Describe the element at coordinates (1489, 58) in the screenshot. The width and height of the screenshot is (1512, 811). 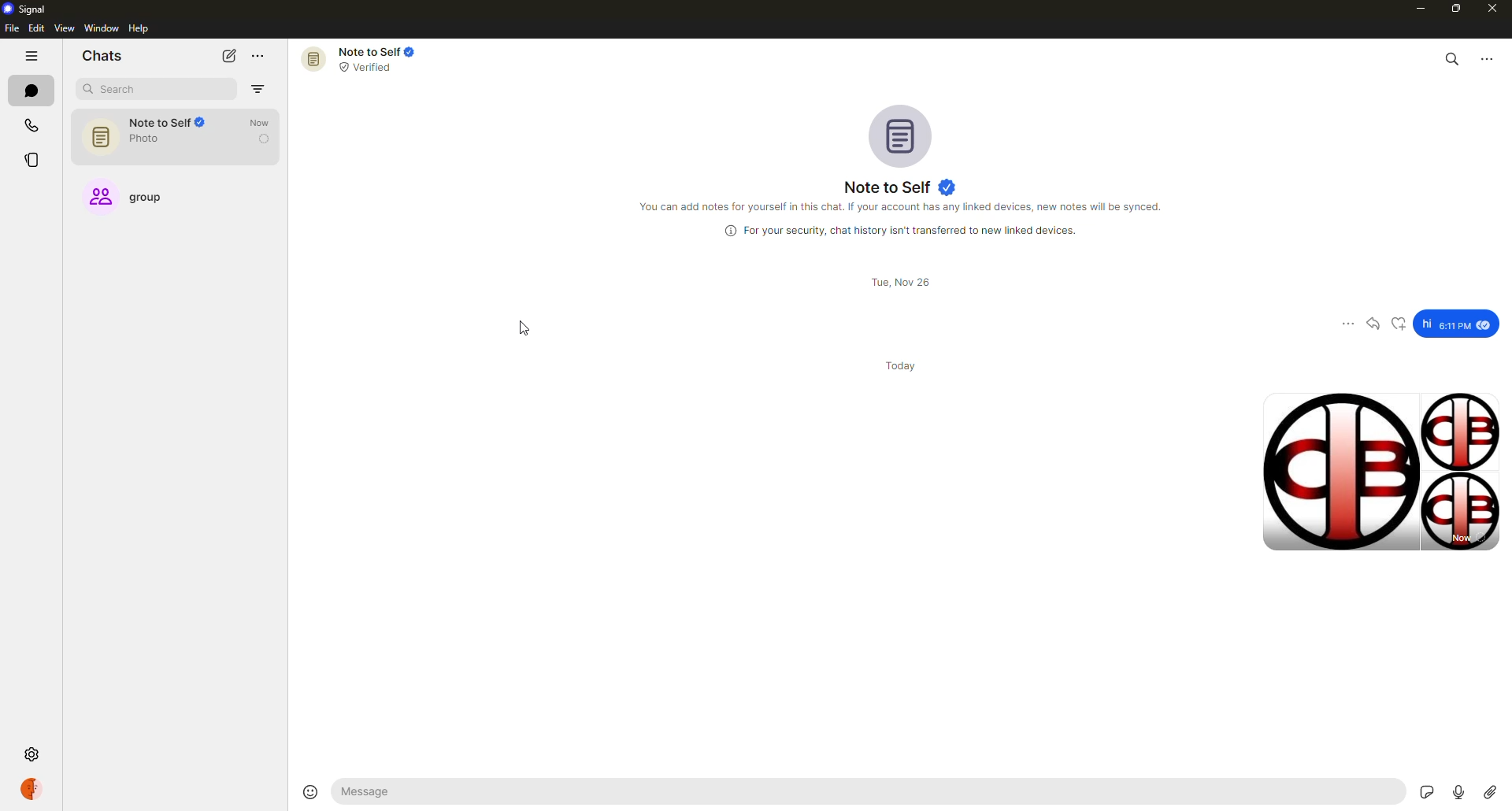
I see `more` at that location.